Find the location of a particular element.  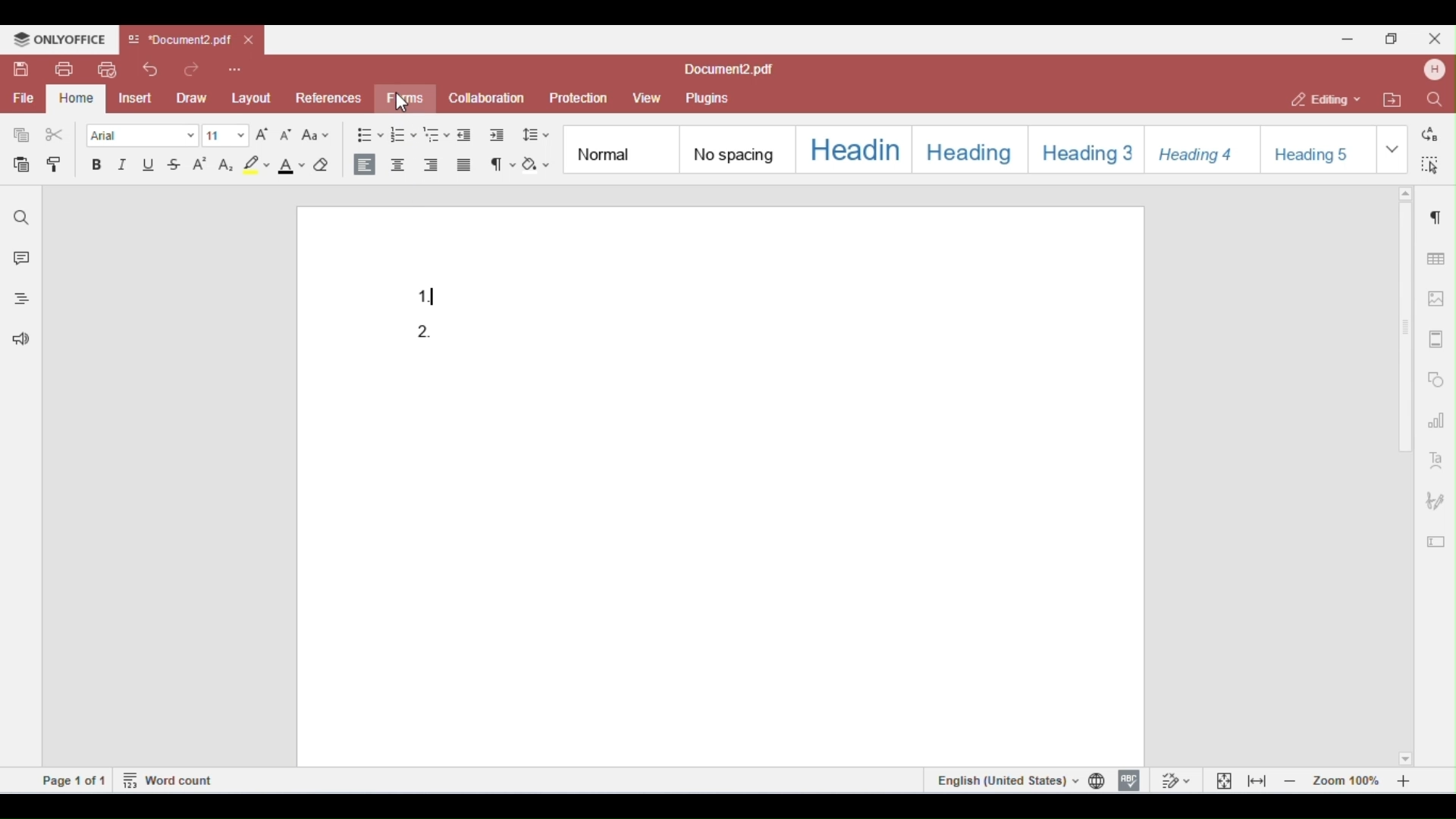

cursor is located at coordinates (408, 105).